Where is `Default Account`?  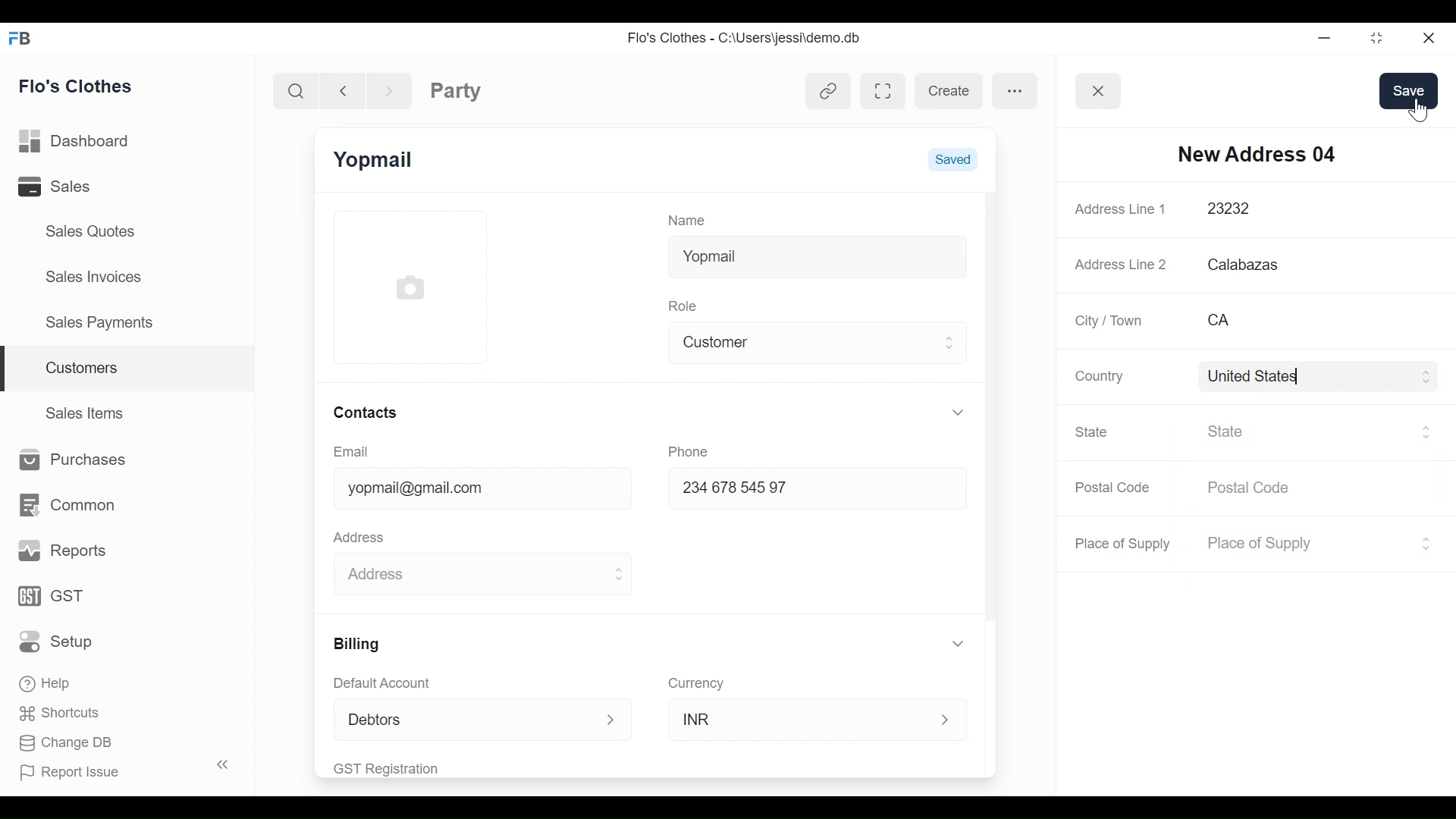 Default Account is located at coordinates (392, 682).